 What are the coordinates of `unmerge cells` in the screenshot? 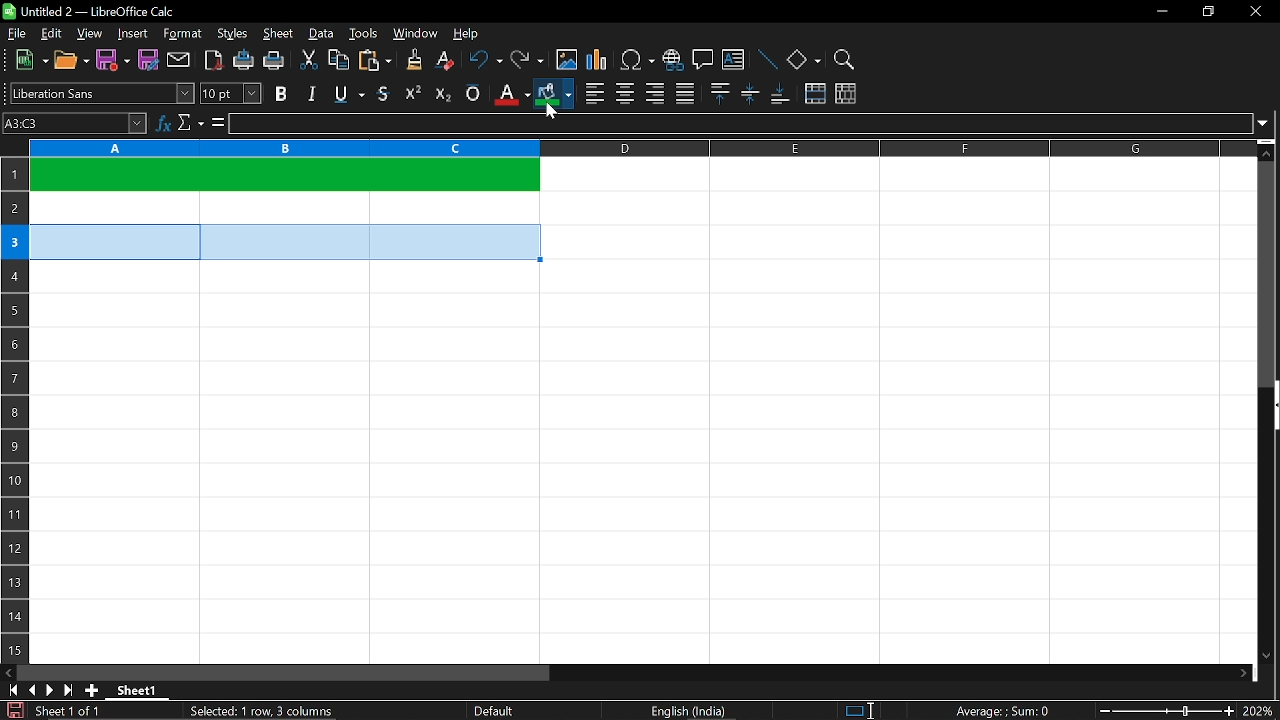 It's located at (846, 95).